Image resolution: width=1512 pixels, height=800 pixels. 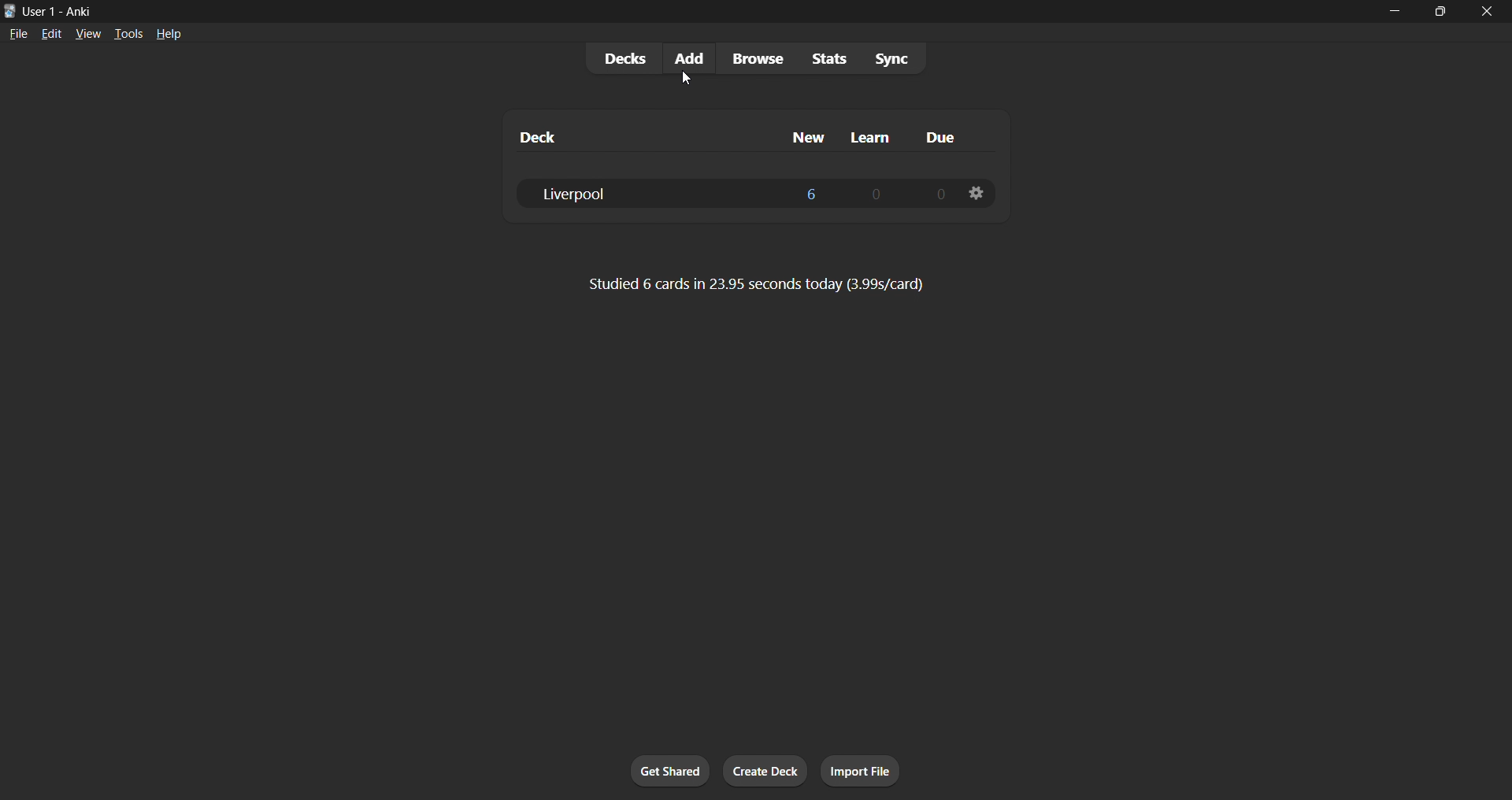 I want to click on maximize/restore, so click(x=1440, y=12).